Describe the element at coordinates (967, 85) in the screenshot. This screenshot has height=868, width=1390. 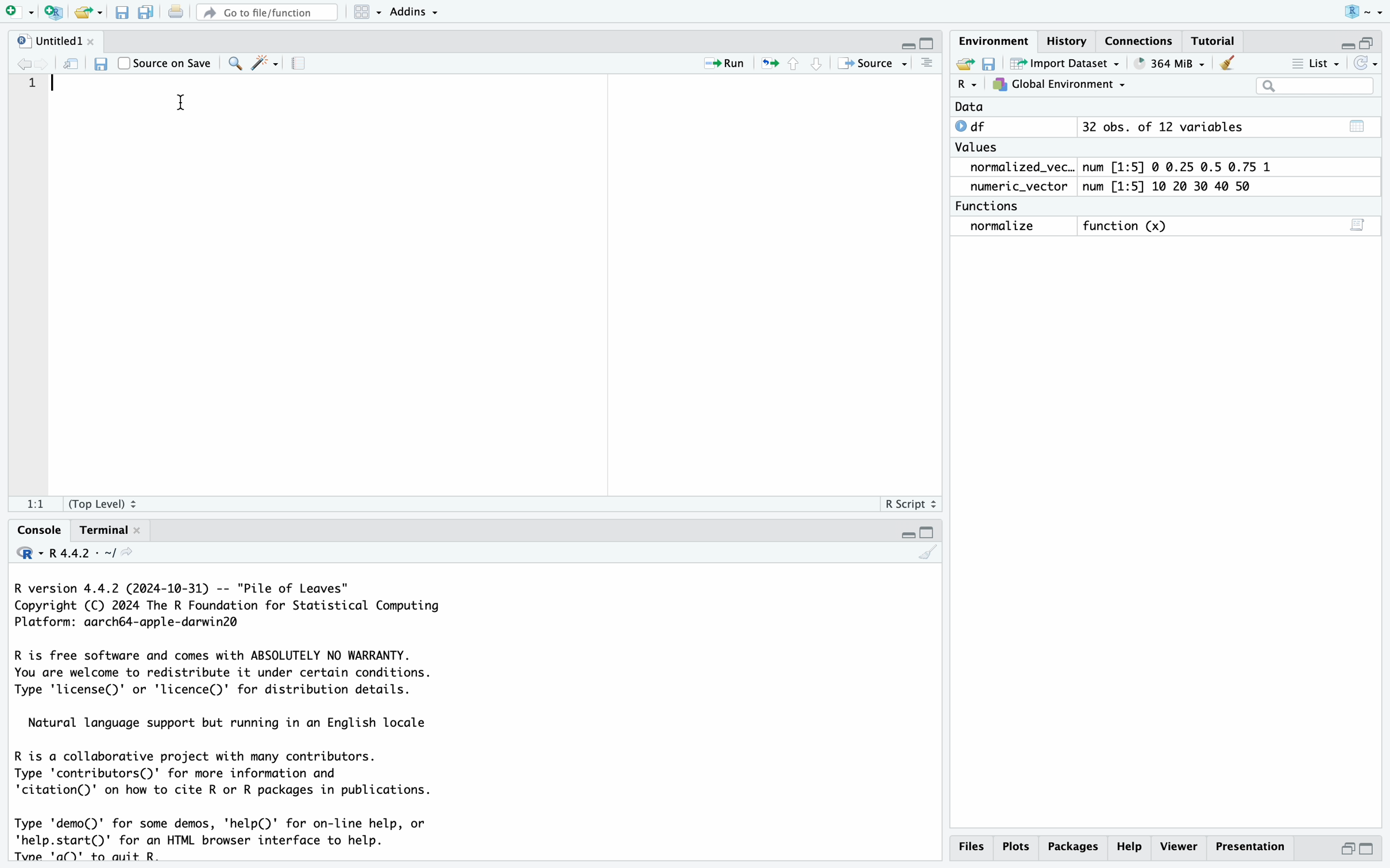
I see `R` at that location.